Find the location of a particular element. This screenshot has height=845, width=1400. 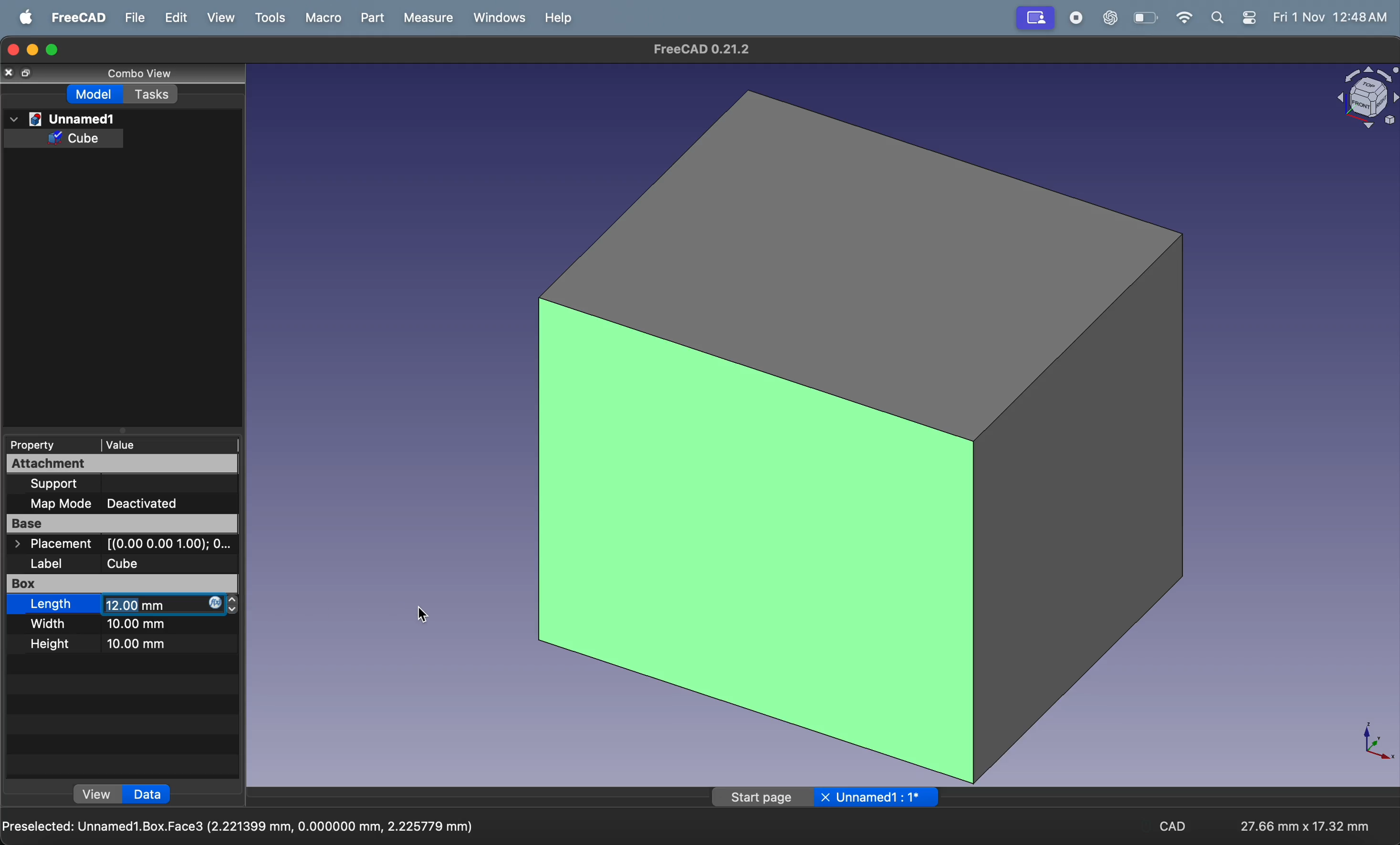

restore is located at coordinates (27, 74).